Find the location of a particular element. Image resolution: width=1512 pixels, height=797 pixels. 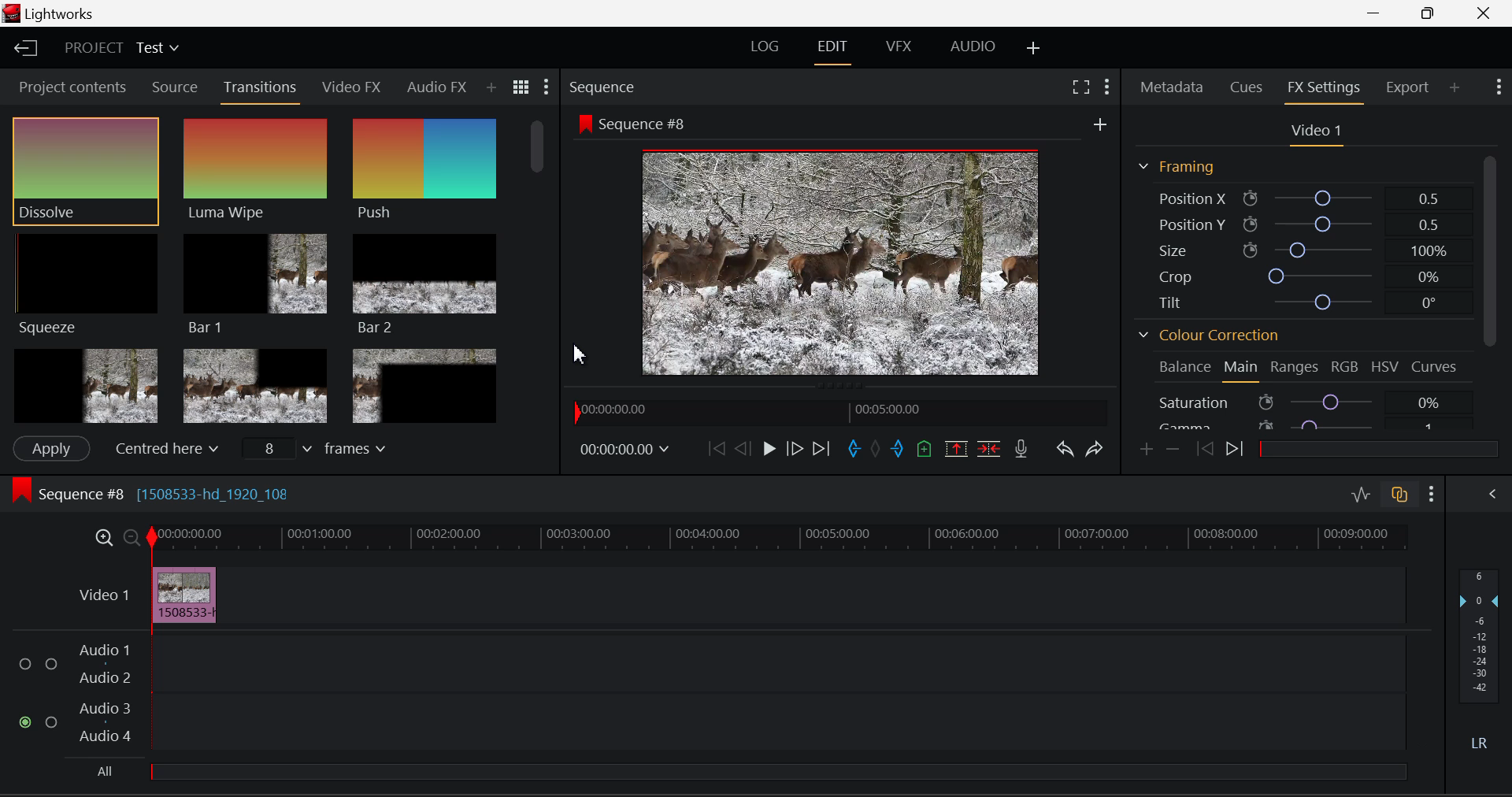

Saturation is located at coordinates (1303, 402).